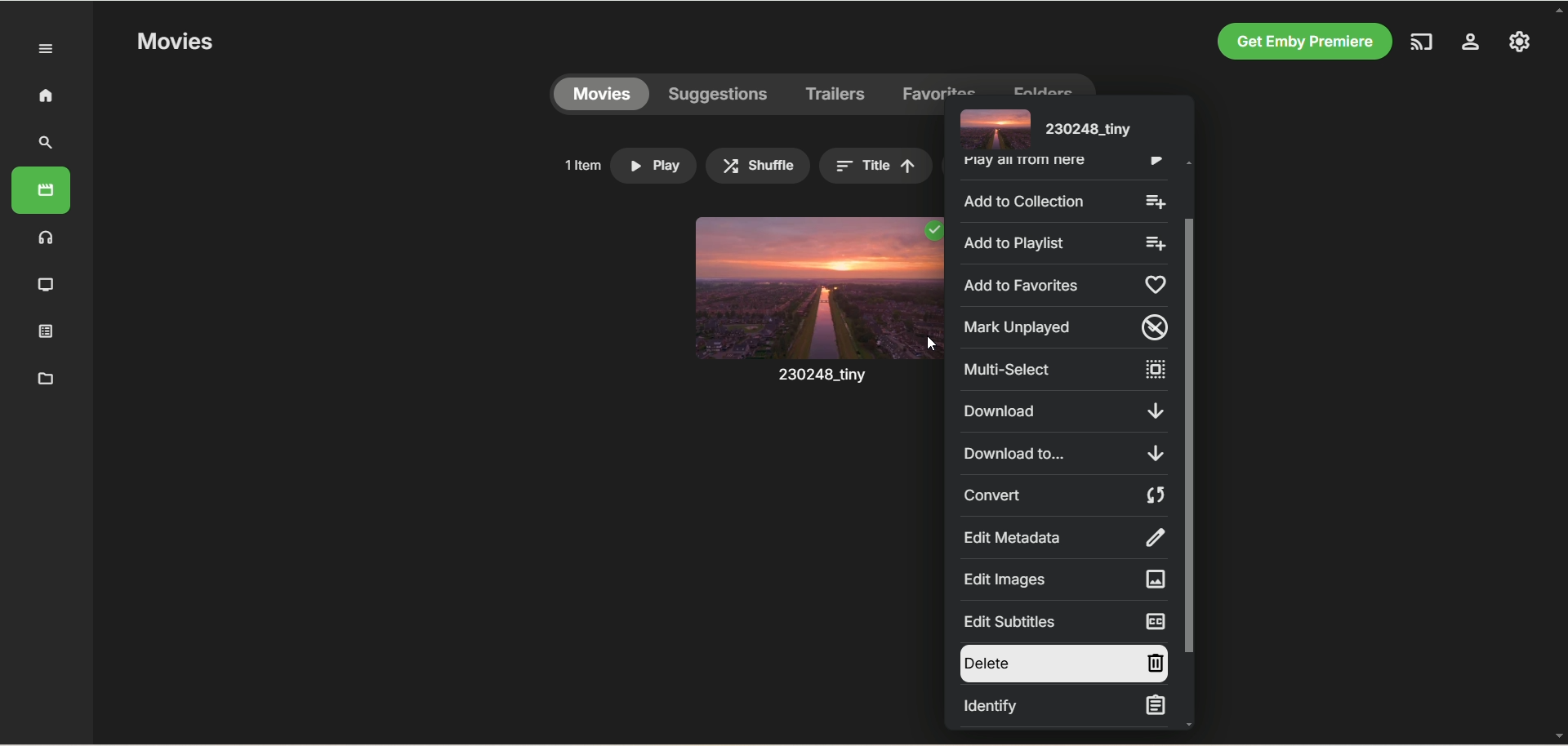 This screenshot has height=746, width=1568. What do you see at coordinates (45, 95) in the screenshot?
I see `home` at bounding box center [45, 95].